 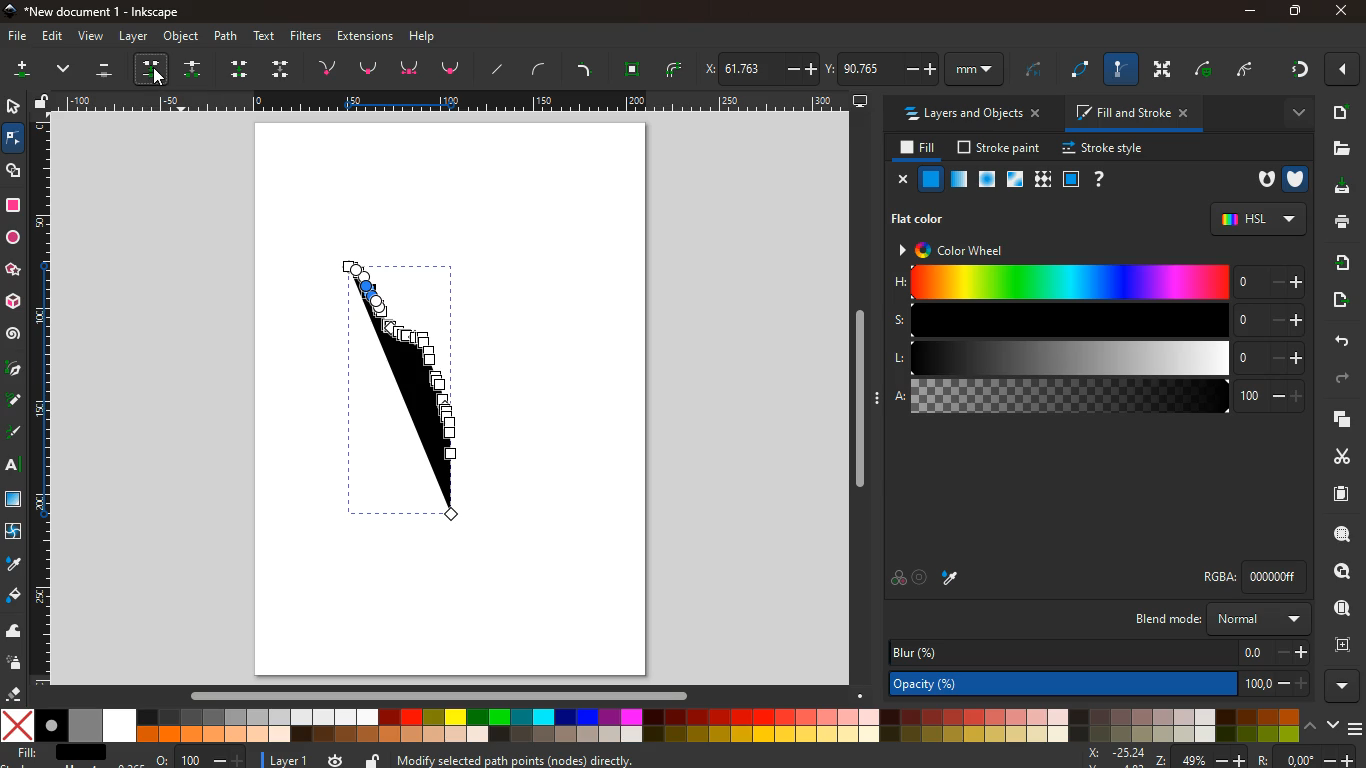 What do you see at coordinates (182, 37) in the screenshot?
I see `object` at bounding box center [182, 37].